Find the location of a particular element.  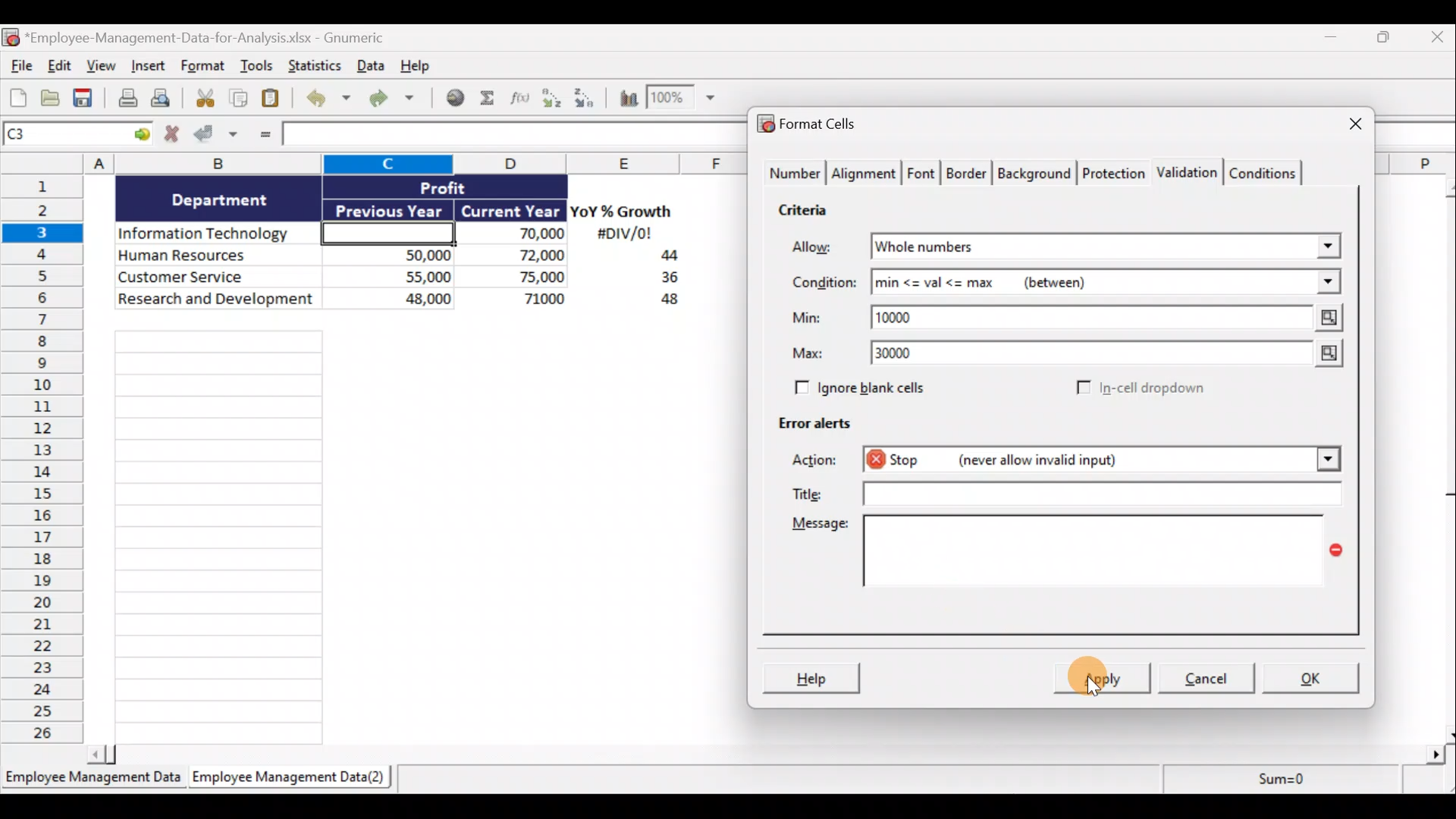

Undo last action is located at coordinates (331, 99).